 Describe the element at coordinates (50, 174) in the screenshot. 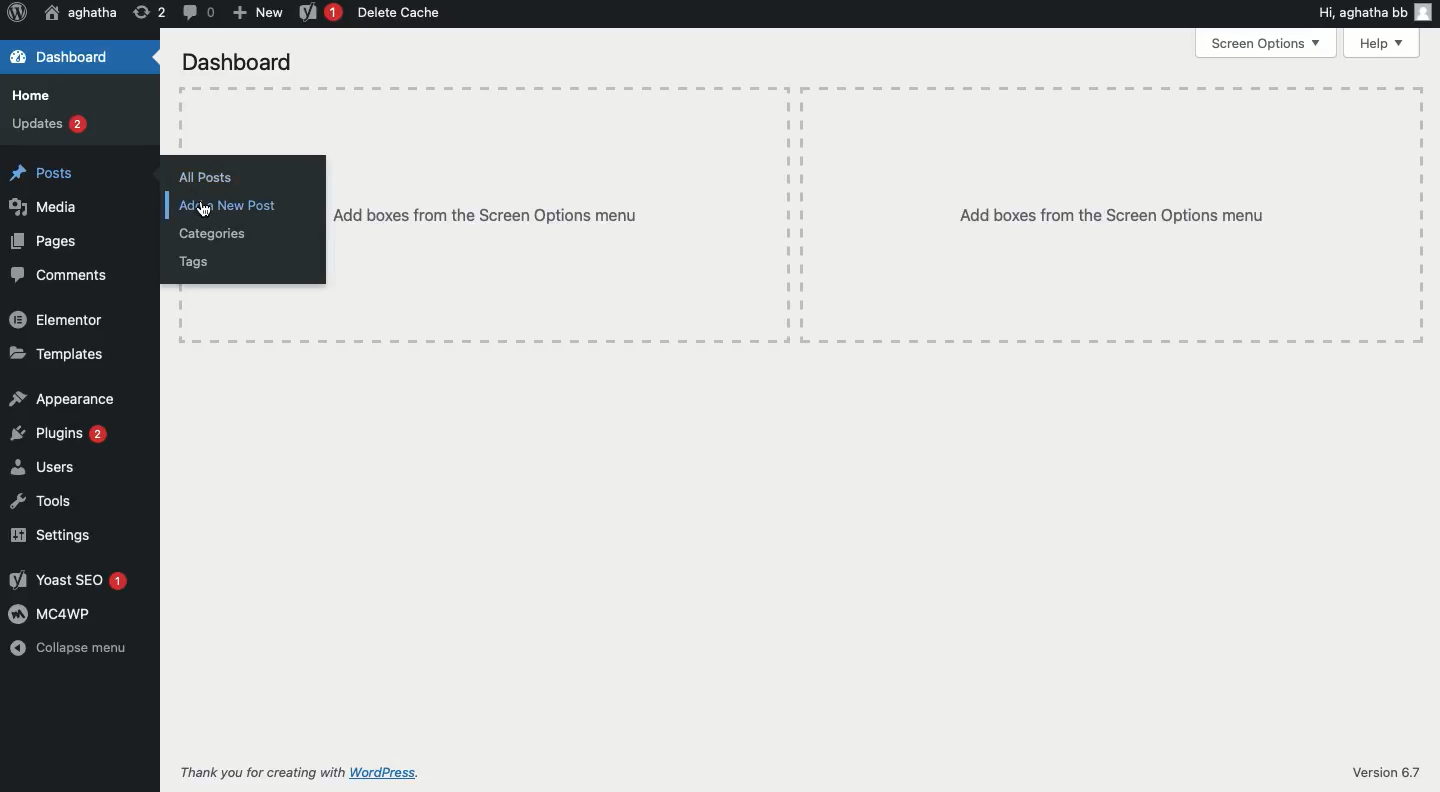

I see `Posts` at that location.